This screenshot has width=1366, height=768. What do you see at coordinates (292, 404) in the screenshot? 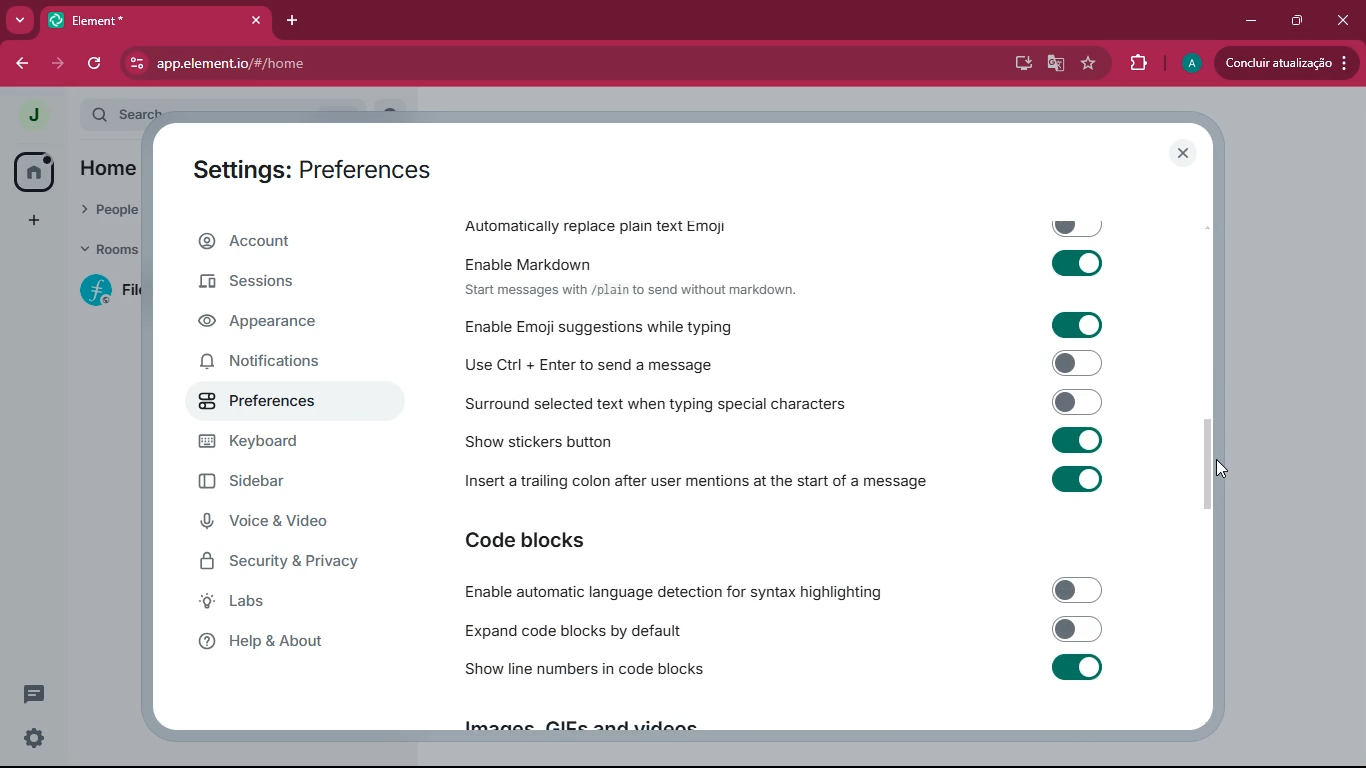
I see `preferences` at bounding box center [292, 404].